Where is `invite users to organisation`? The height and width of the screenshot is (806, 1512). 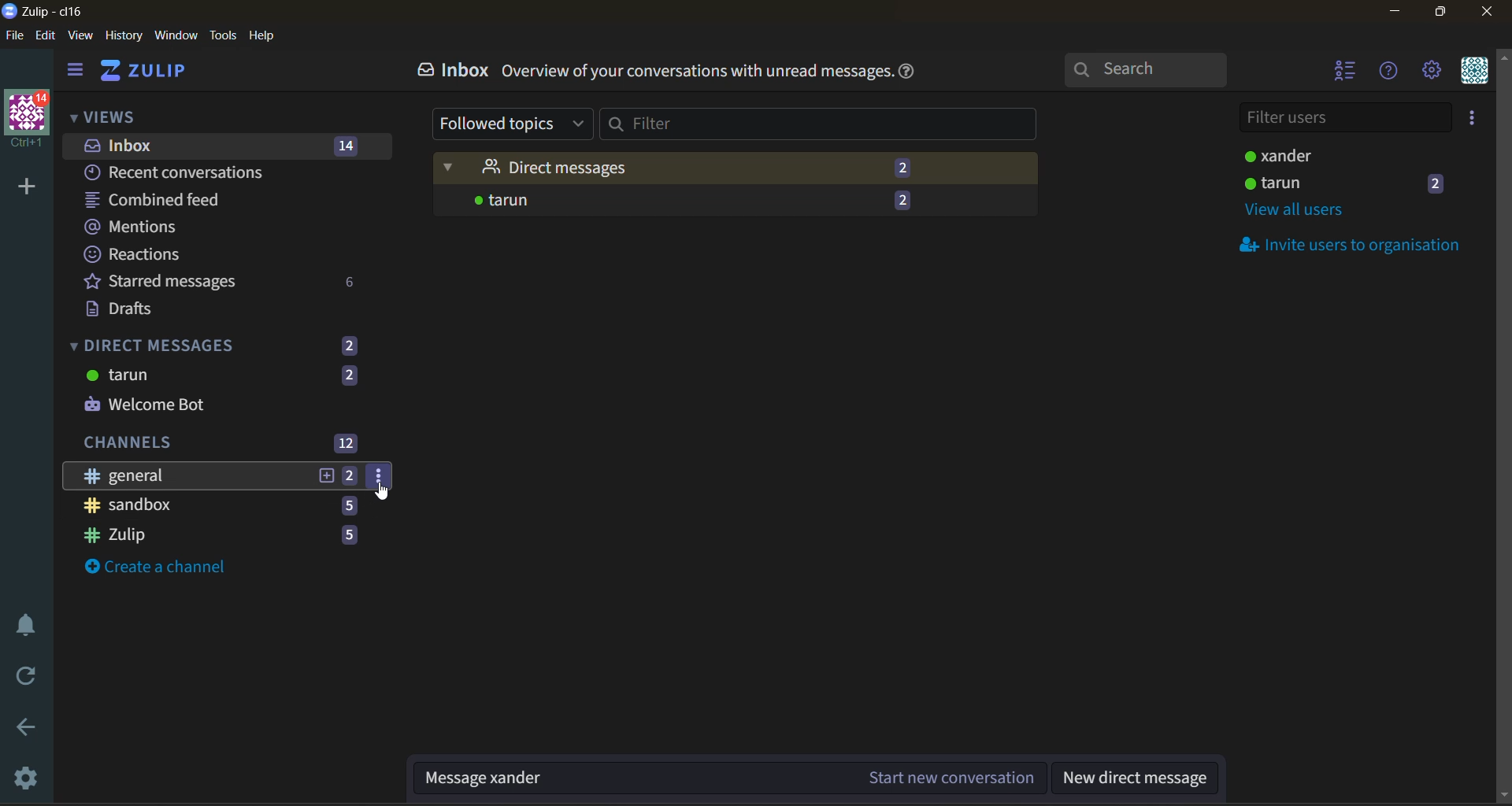
invite users to organisation is located at coordinates (1358, 248).